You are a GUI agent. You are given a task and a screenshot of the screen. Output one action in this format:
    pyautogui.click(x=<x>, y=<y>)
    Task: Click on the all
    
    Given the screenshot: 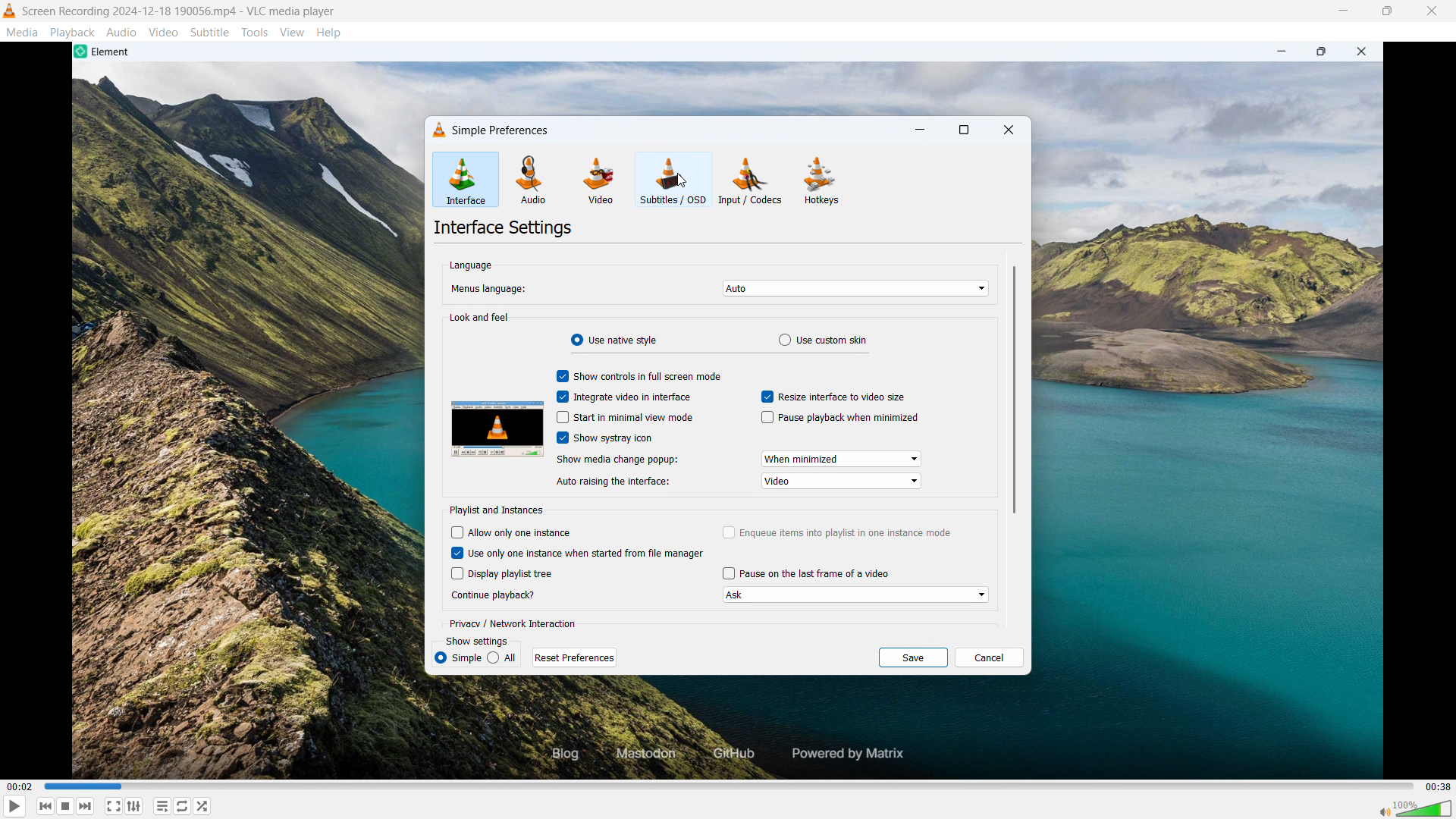 What is the action you would take?
    pyautogui.click(x=457, y=658)
    